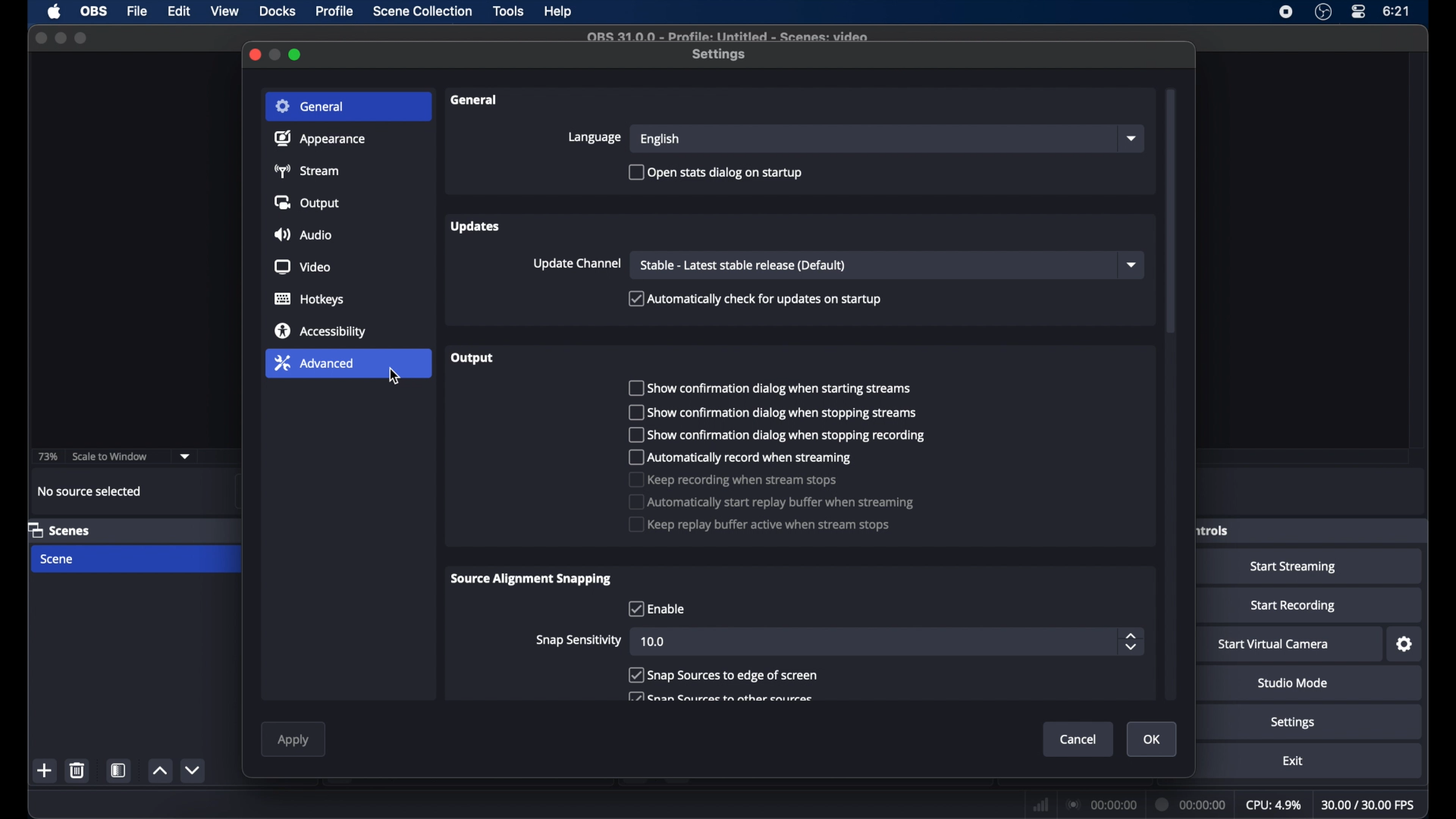 The image size is (1456, 819). Describe the element at coordinates (159, 770) in the screenshot. I see `increment` at that location.